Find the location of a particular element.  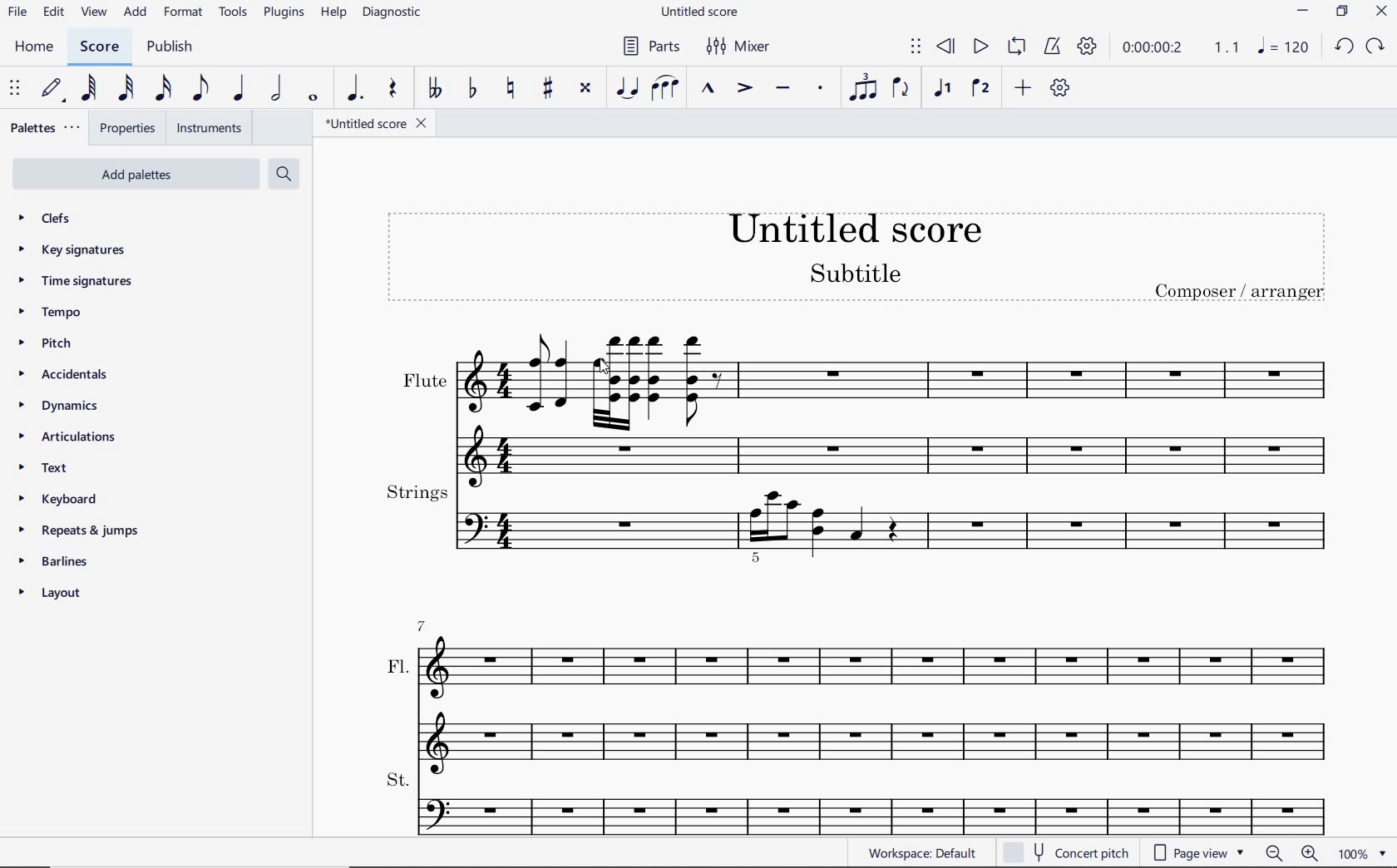

TUPLET is located at coordinates (865, 89).